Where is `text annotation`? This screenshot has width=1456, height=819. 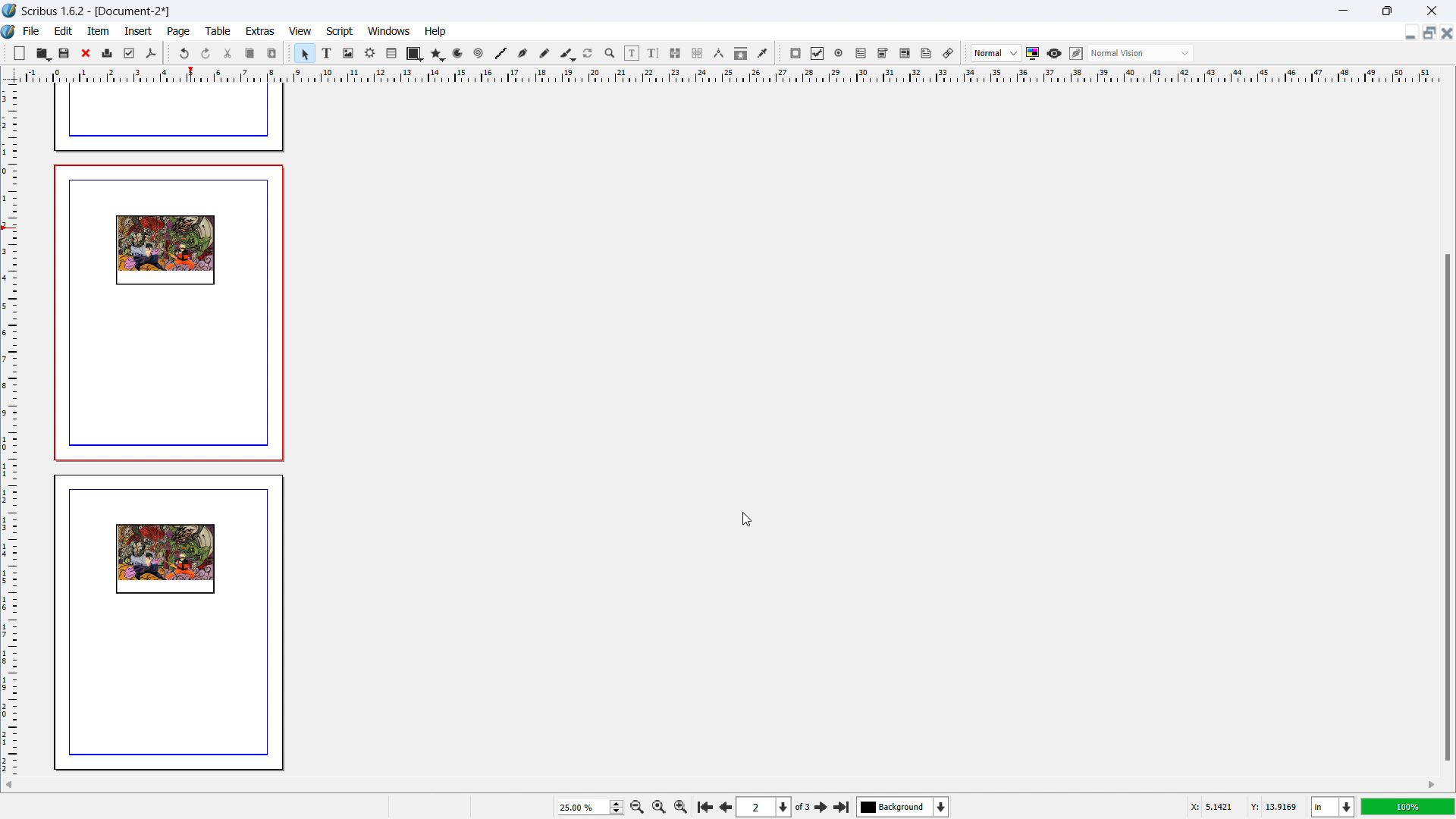 text annotation is located at coordinates (927, 54).